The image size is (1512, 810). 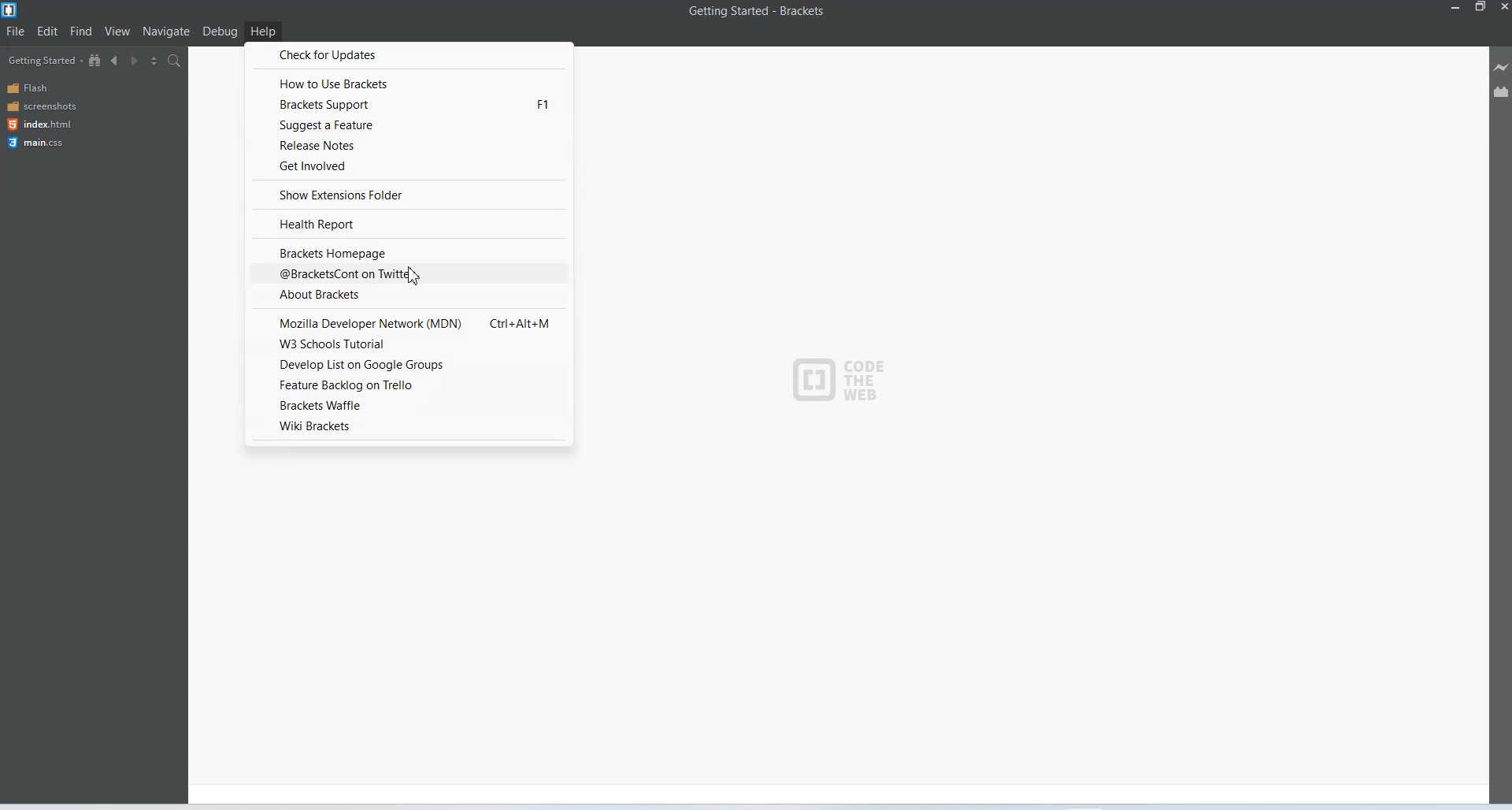 What do you see at coordinates (409, 253) in the screenshot?
I see `Bracket Homepage` at bounding box center [409, 253].